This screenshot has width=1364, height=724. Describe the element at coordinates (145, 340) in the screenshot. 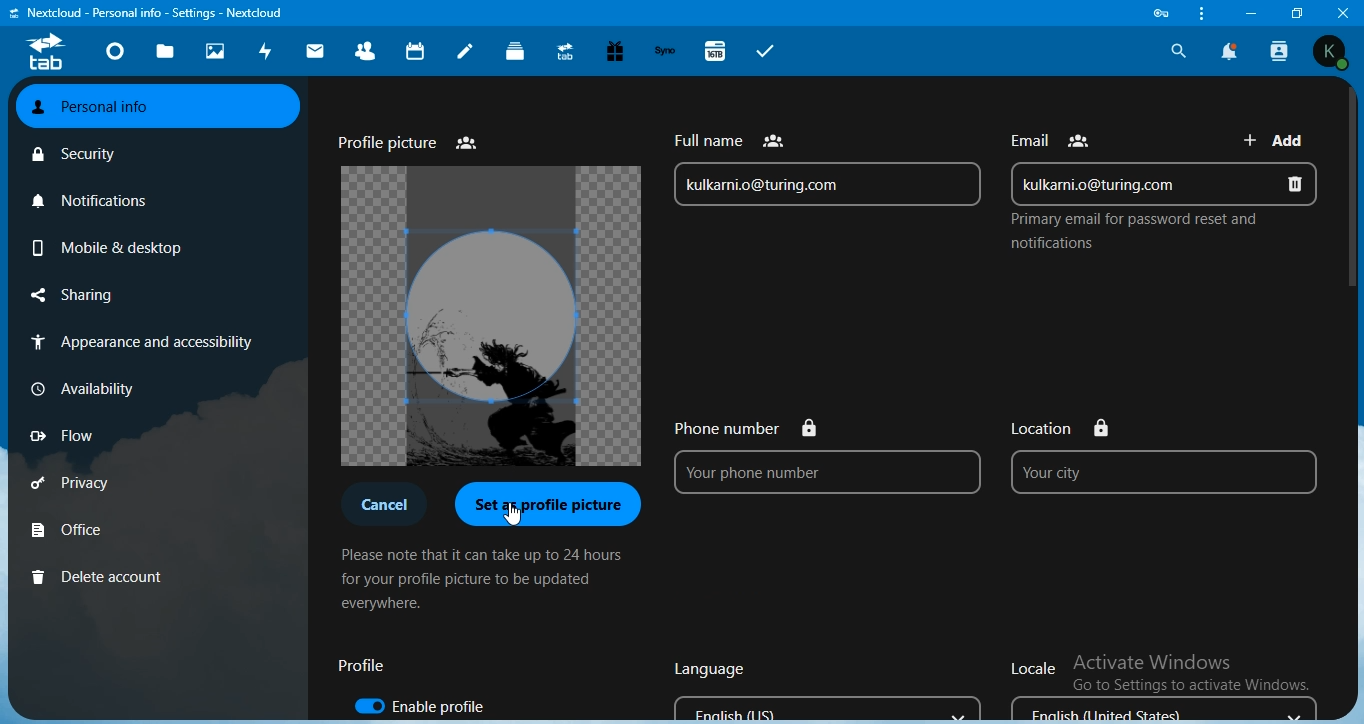

I see `appearance & accessibilty` at that location.